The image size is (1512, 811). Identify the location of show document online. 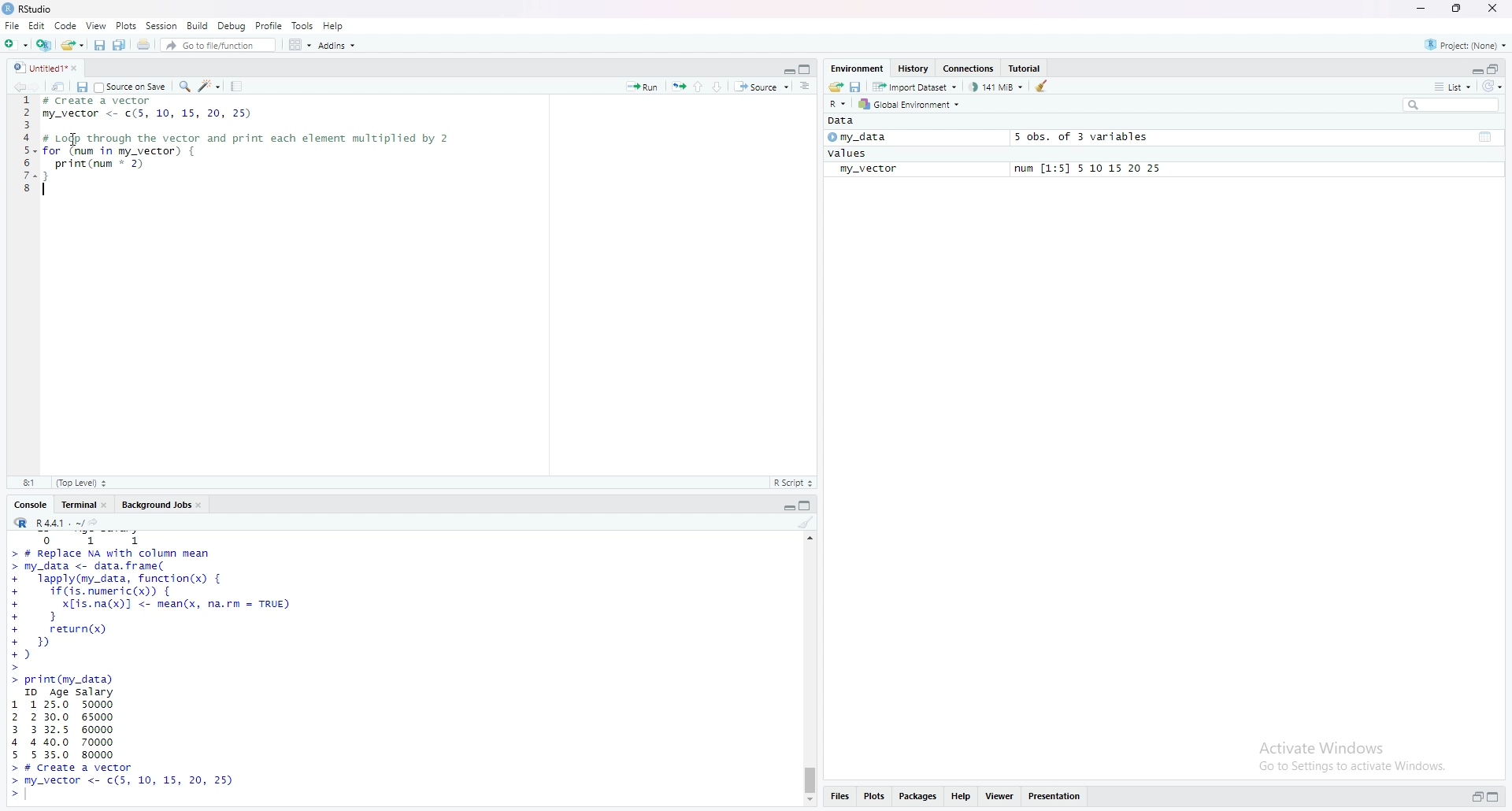
(810, 87).